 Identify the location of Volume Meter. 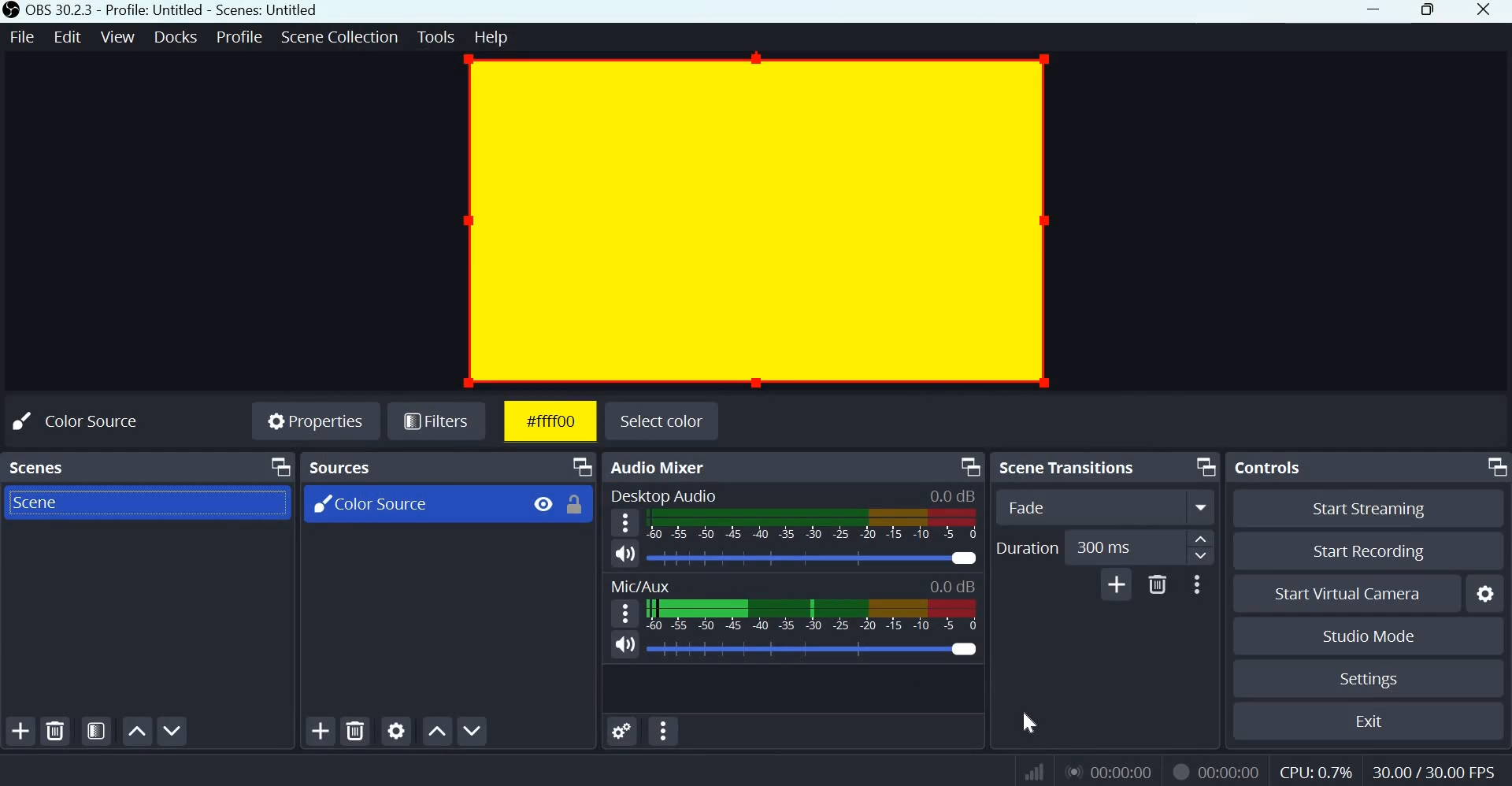
(811, 614).